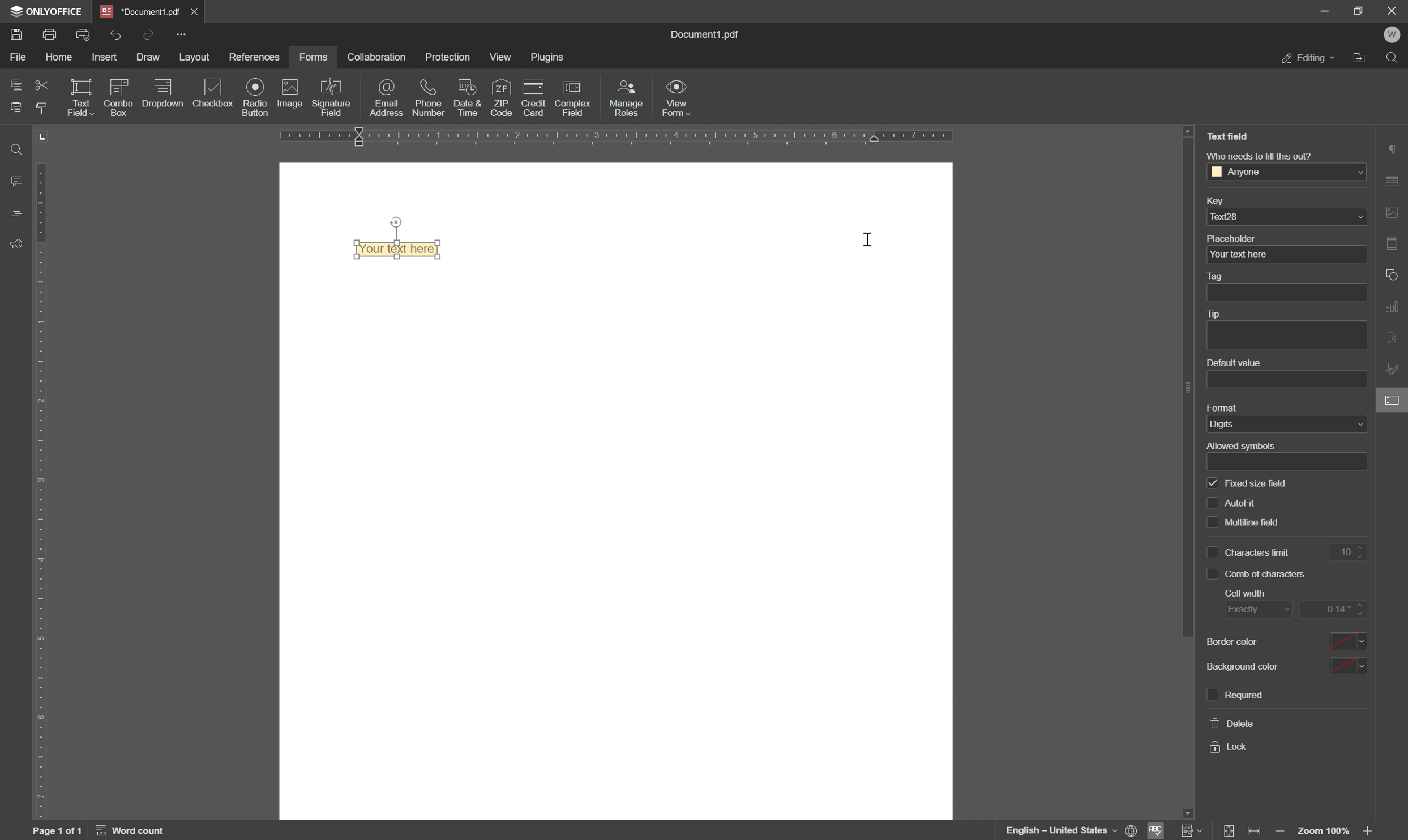 The image size is (1408, 840). Describe the element at coordinates (1193, 832) in the screenshot. I see `Track changes` at that location.